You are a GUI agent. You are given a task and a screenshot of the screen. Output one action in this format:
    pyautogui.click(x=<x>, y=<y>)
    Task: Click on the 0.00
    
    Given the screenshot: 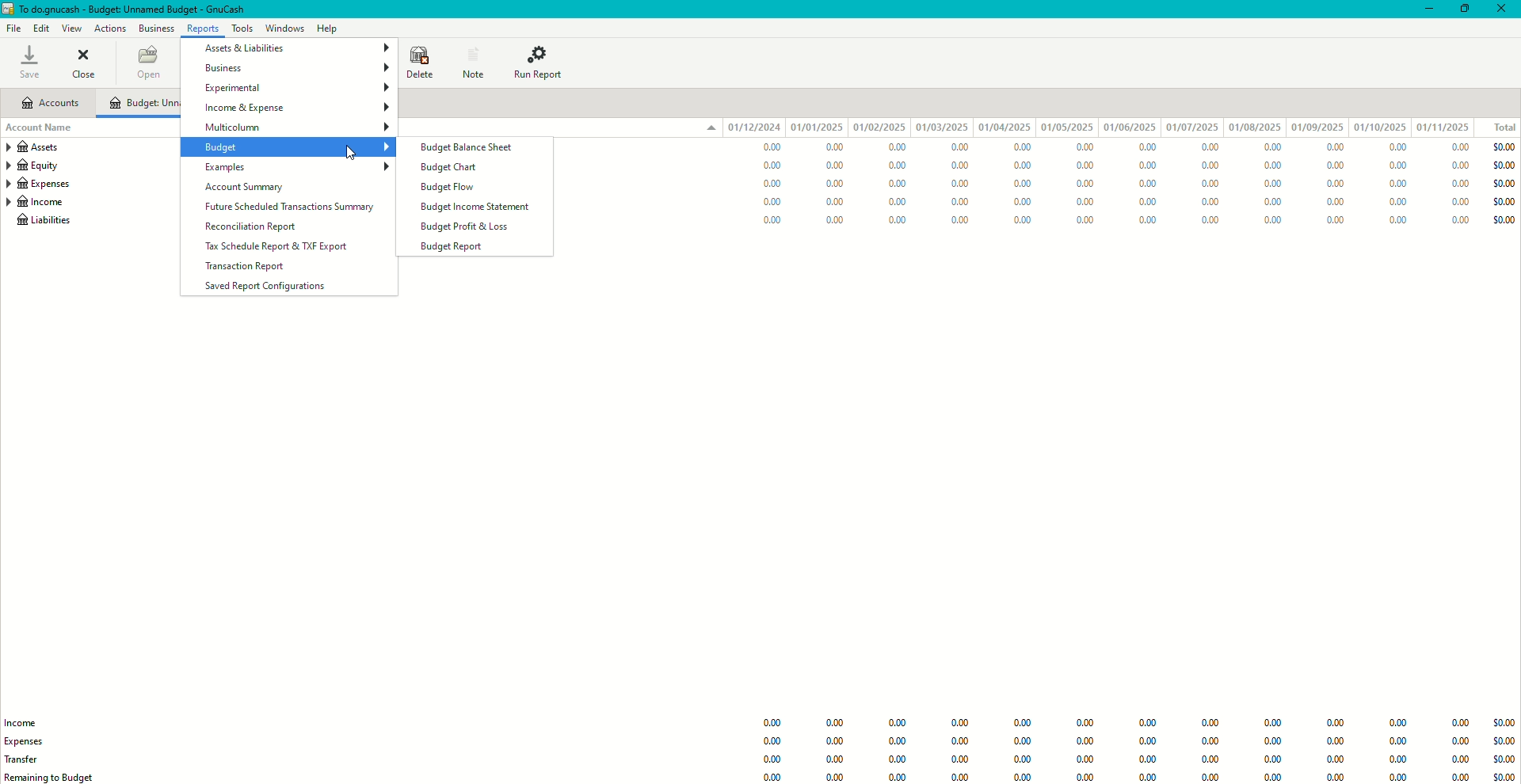 What is the action you would take?
    pyautogui.click(x=1398, y=183)
    